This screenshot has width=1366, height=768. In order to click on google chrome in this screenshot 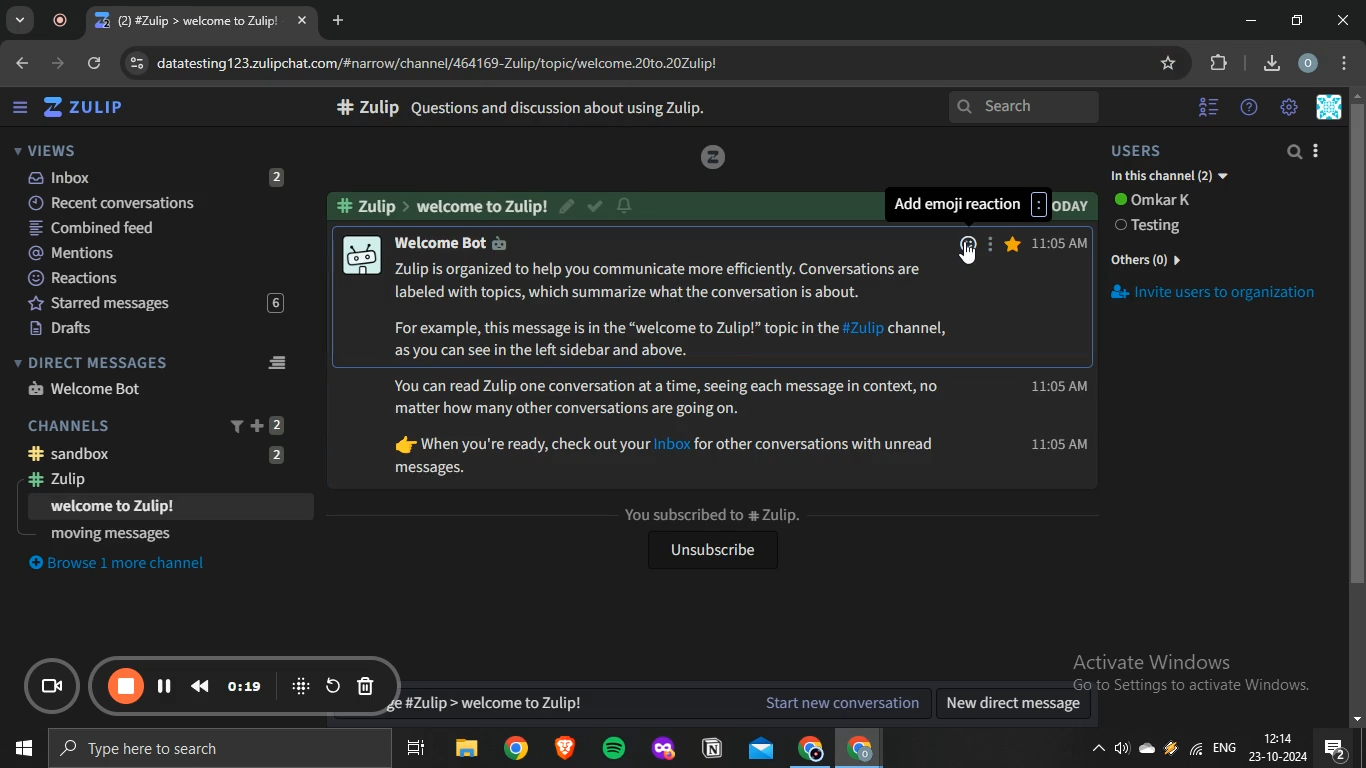, I will do `click(809, 749)`.